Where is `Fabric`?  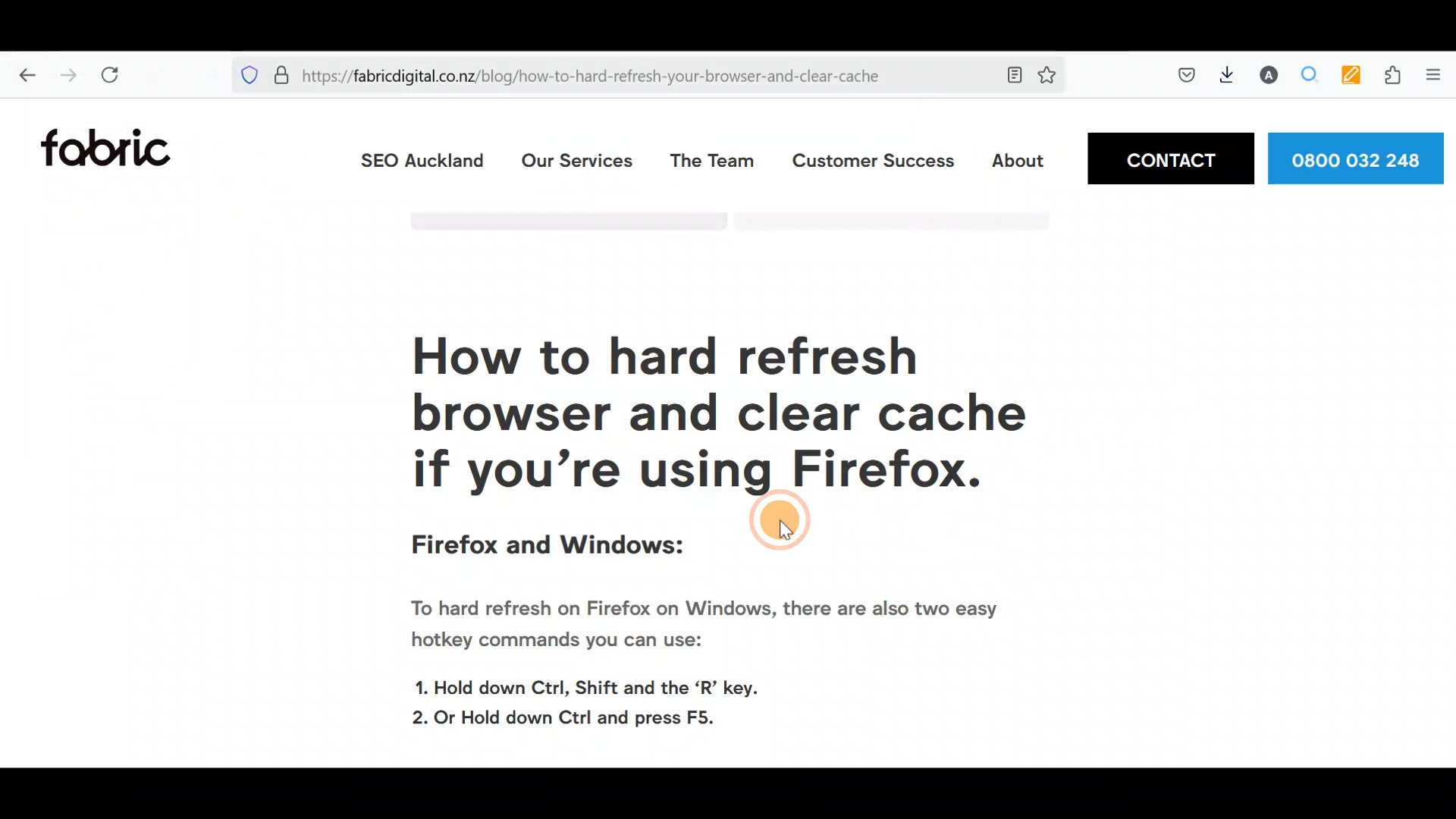 Fabric is located at coordinates (111, 148).